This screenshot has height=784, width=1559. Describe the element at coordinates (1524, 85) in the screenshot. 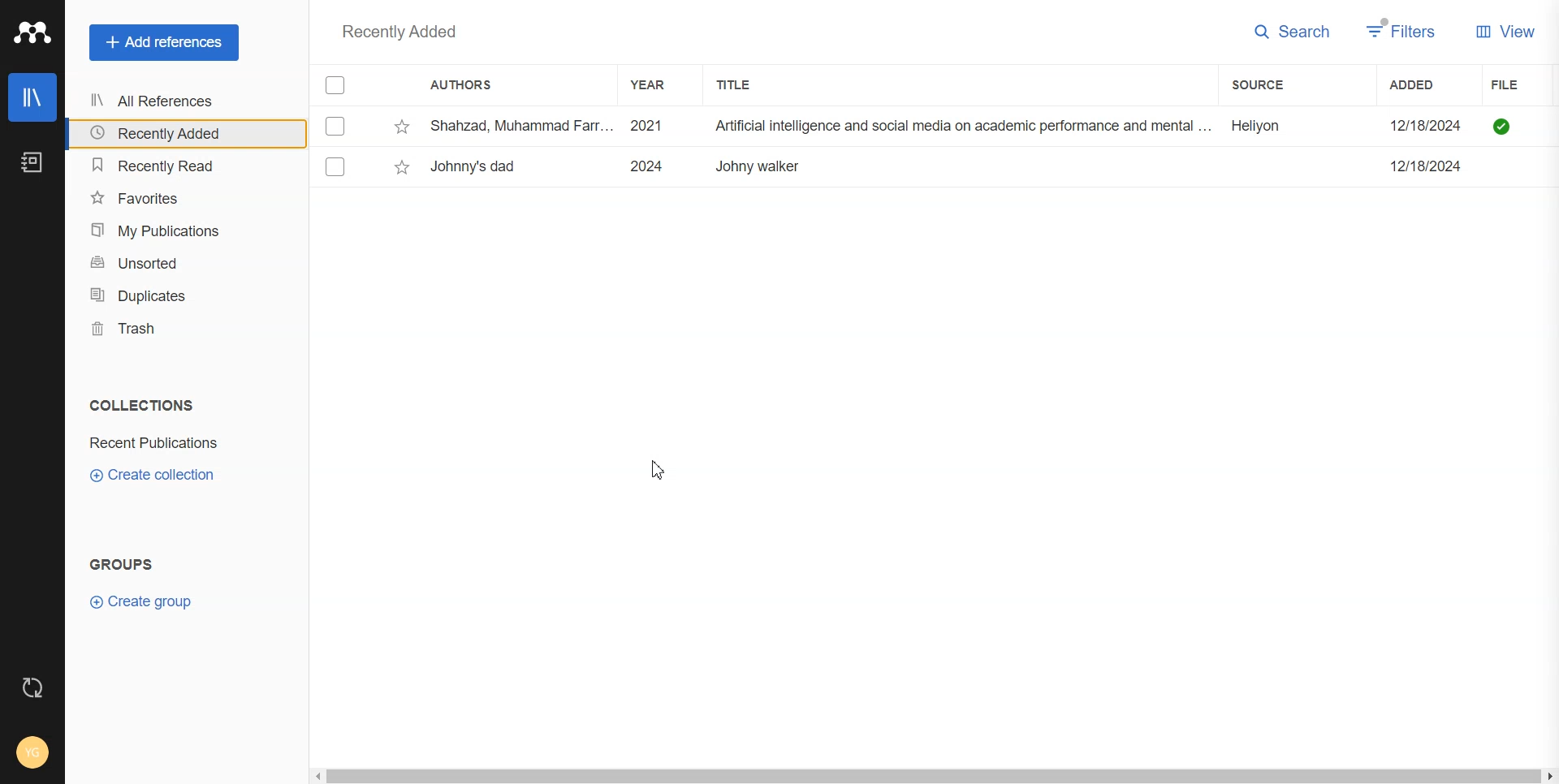

I see `File` at that location.